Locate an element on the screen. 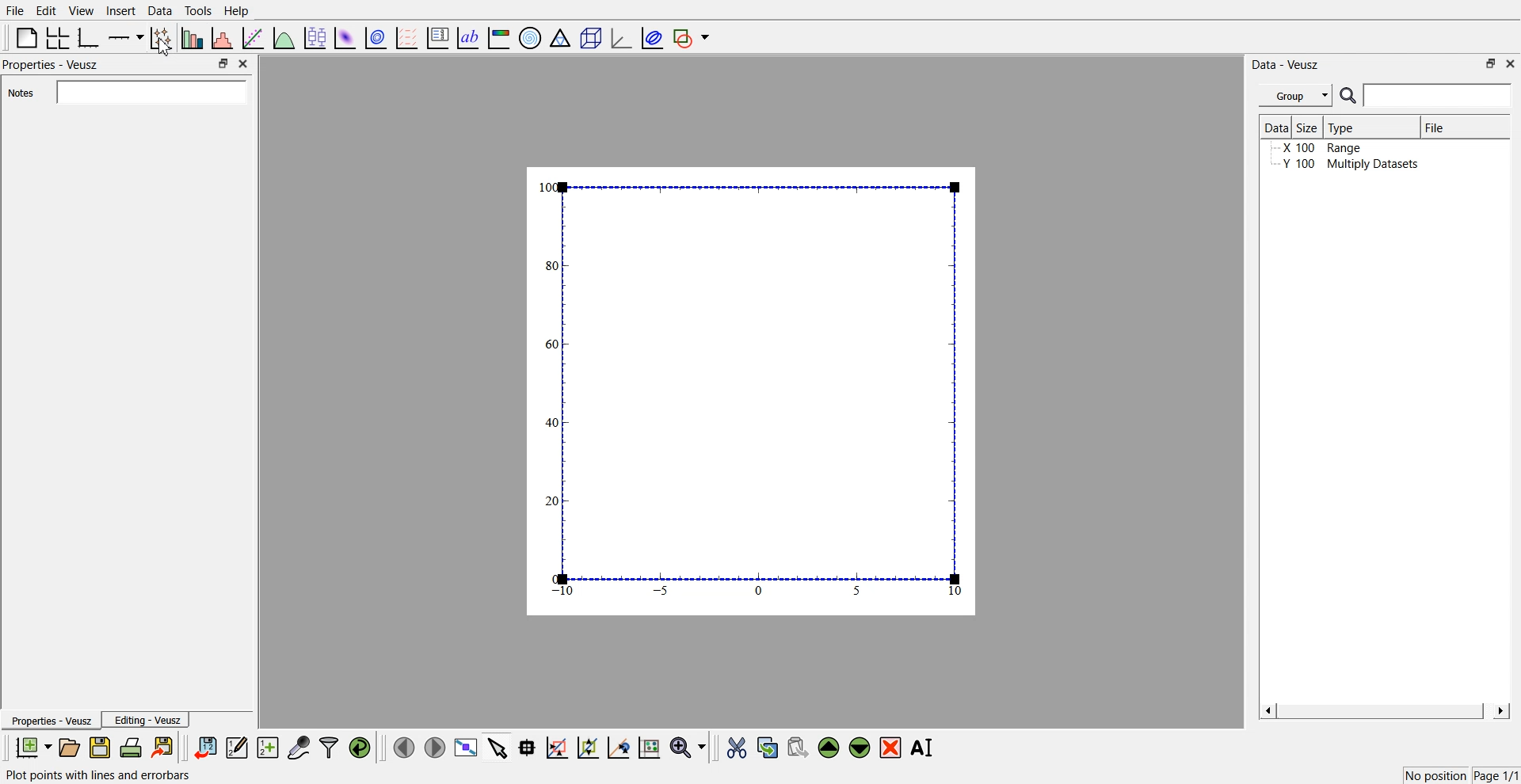  Plot points with lines and errorbars is located at coordinates (101, 775).